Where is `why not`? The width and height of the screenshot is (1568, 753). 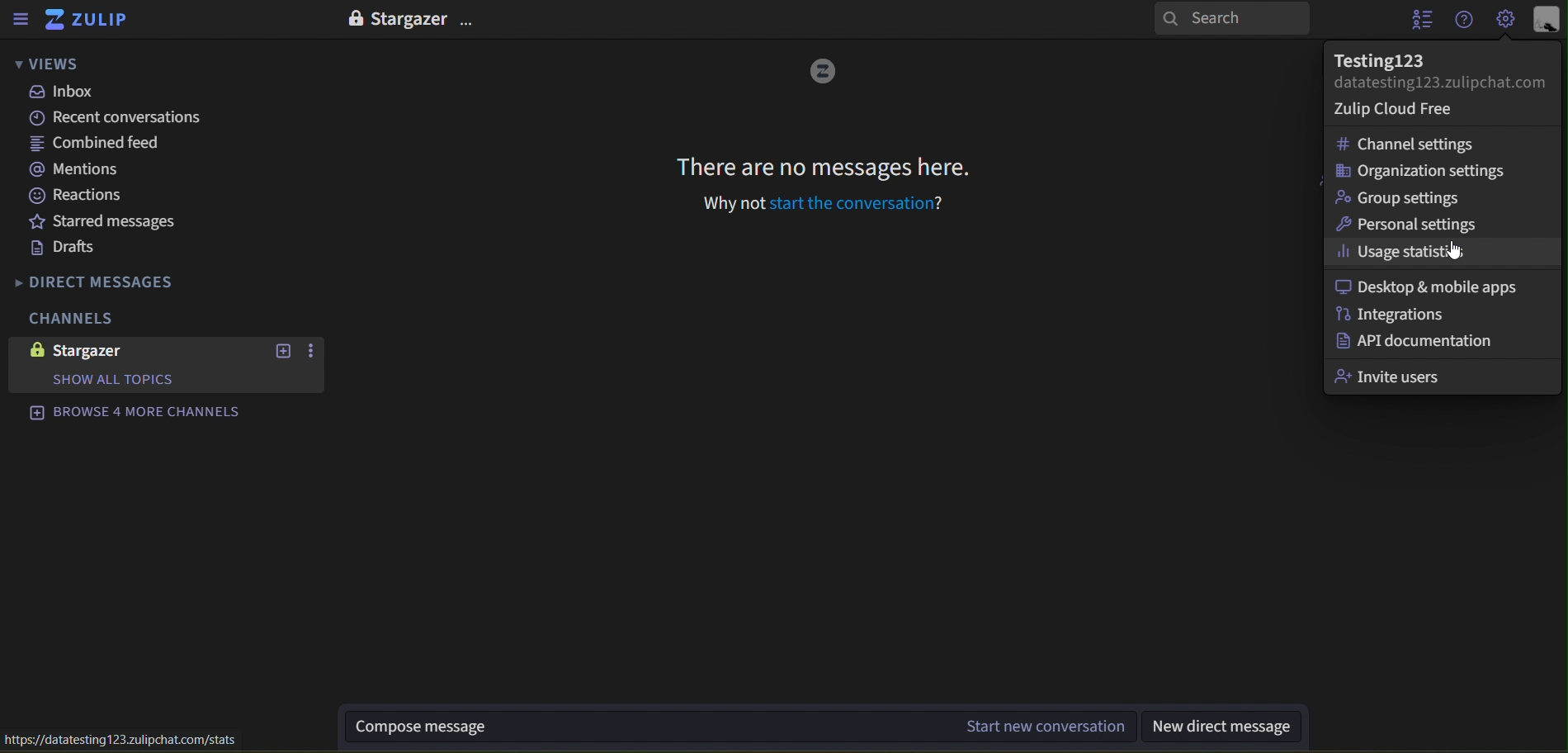 why not is located at coordinates (731, 206).